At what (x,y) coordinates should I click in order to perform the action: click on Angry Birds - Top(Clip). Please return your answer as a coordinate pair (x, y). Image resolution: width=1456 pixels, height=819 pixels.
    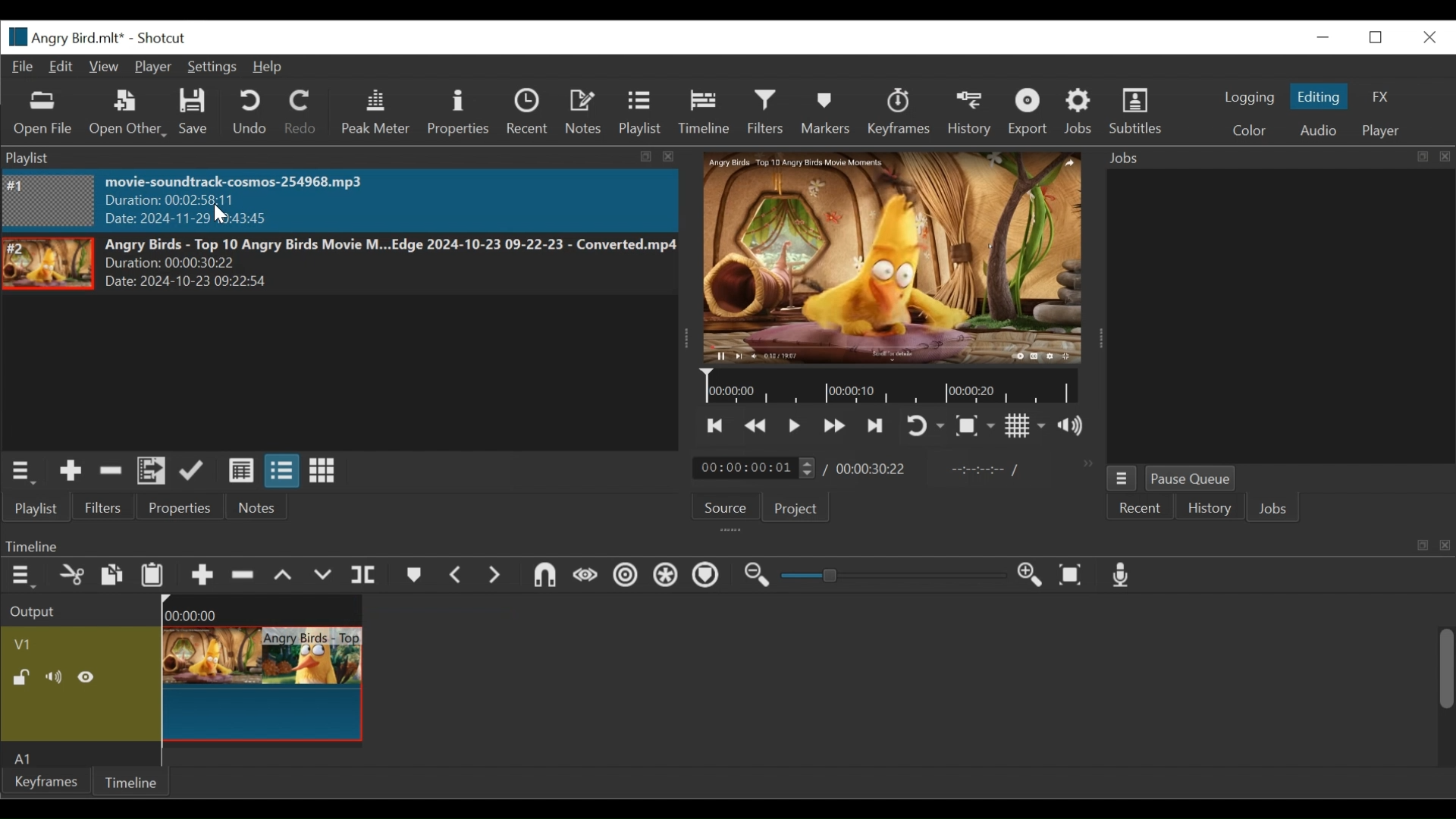
    Looking at the image, I should click on (262, 684).